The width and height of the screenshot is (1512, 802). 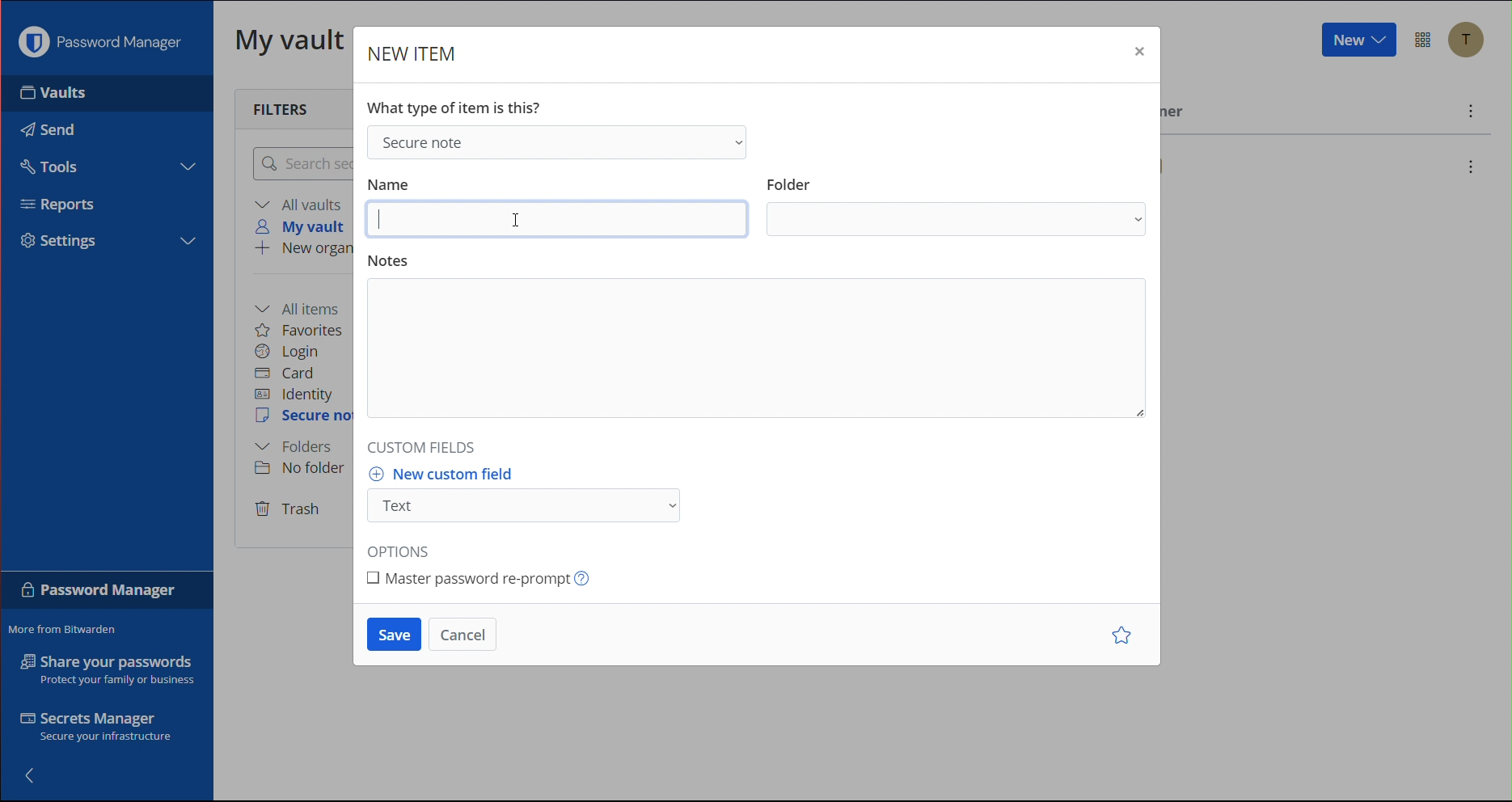 I want to click on Settings, so click(x=66, y=241).